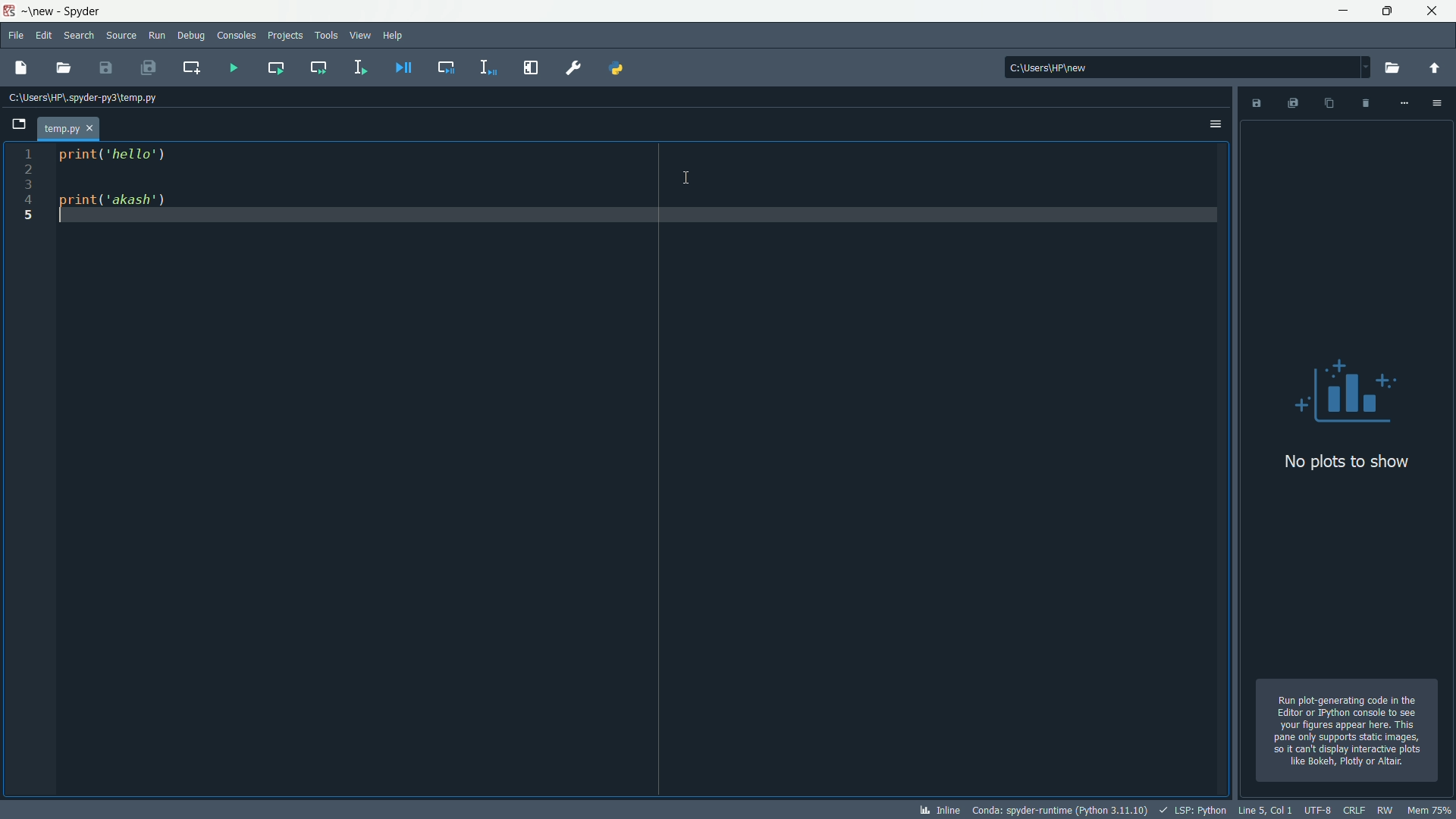  I want to click on file menu, so click(15, 35).